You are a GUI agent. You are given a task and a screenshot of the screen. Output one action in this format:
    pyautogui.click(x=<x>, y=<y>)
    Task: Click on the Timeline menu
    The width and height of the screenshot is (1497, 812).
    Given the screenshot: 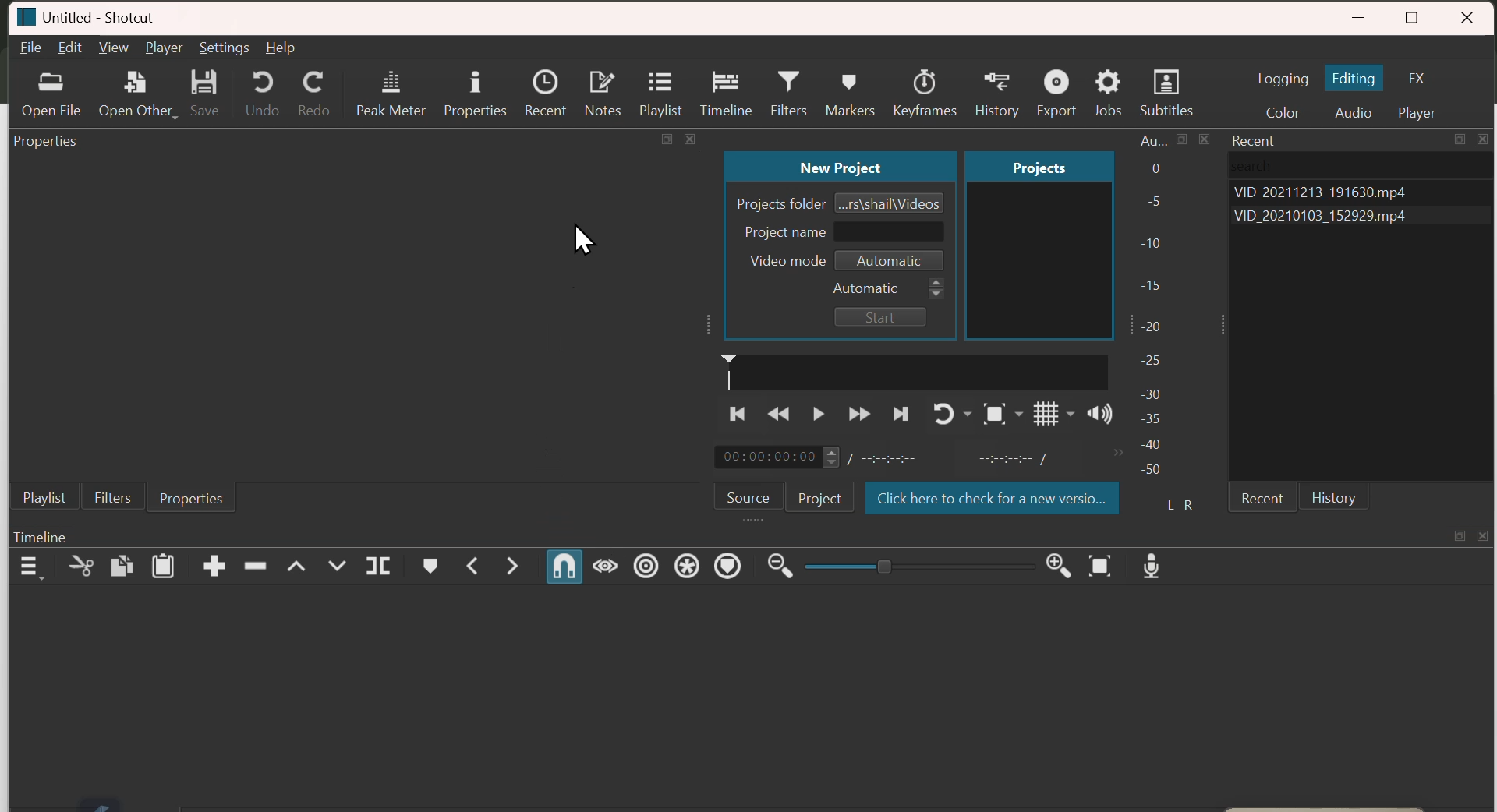 What is the action you would take?
    pyautogui.click(x=30, y=566)
    